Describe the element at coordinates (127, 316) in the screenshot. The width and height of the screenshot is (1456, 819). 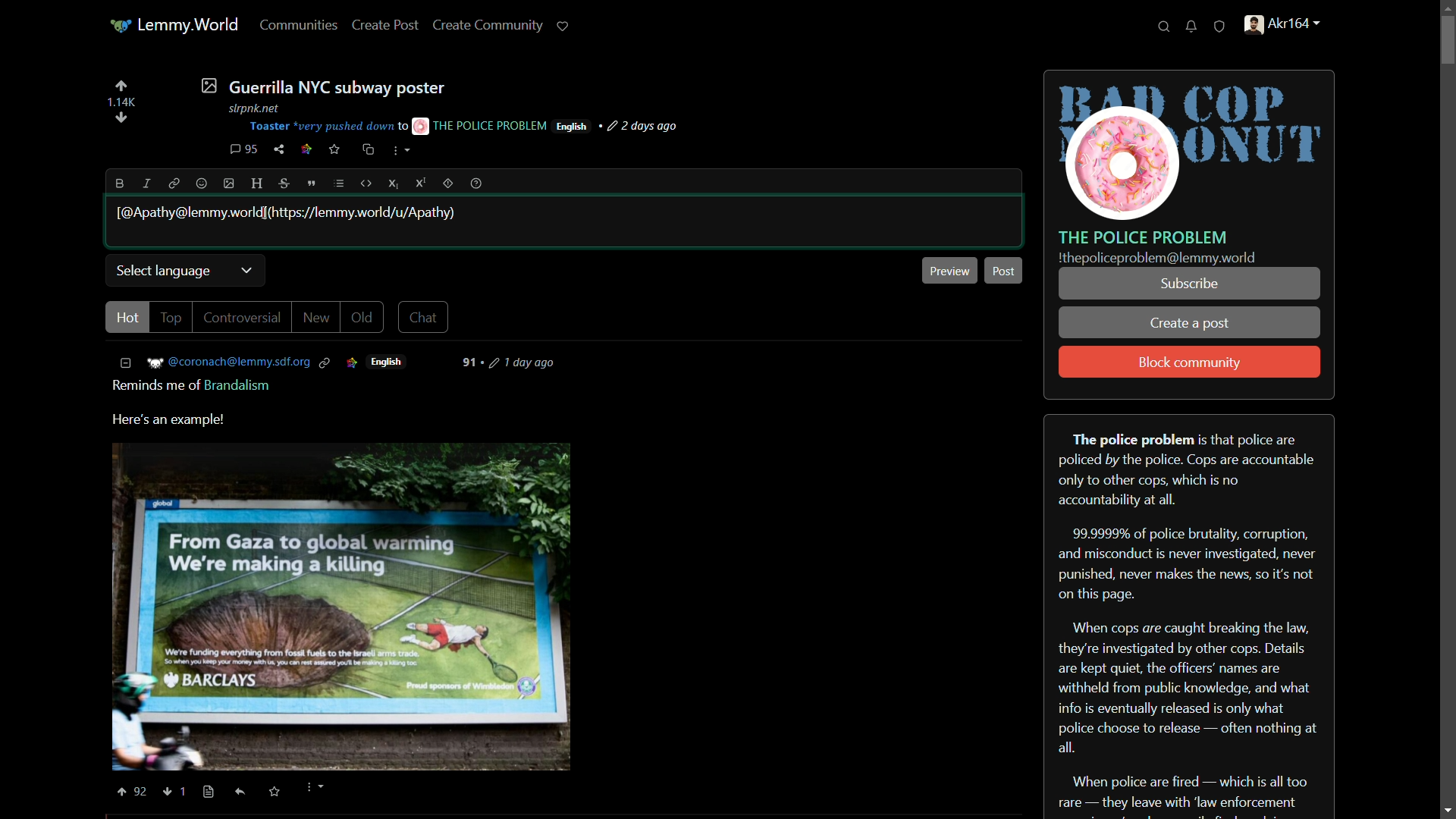
I see `Hot` at that location.